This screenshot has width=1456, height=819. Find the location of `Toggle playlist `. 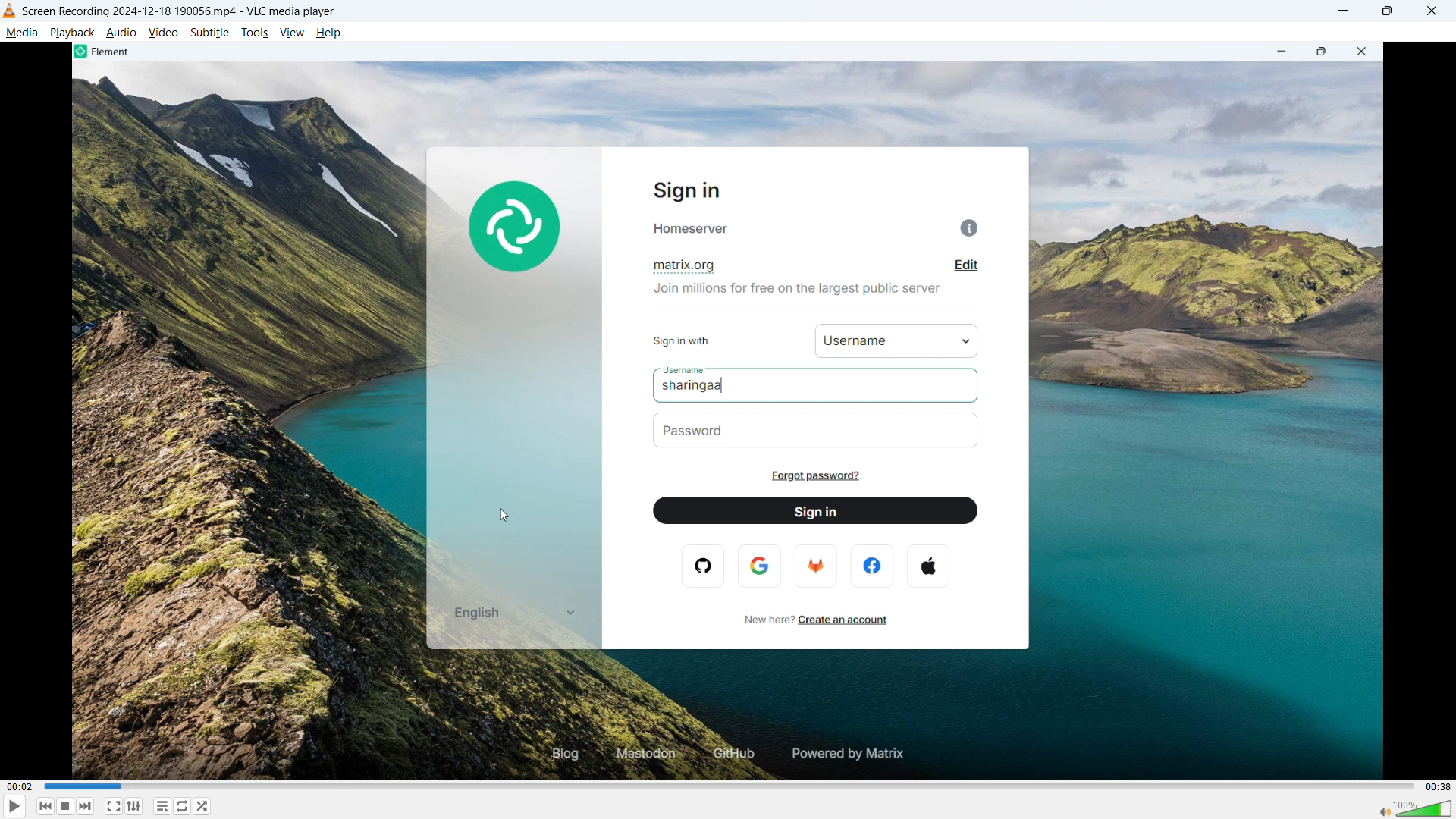

Toggle playlist  is located at coordinates (162, 806).